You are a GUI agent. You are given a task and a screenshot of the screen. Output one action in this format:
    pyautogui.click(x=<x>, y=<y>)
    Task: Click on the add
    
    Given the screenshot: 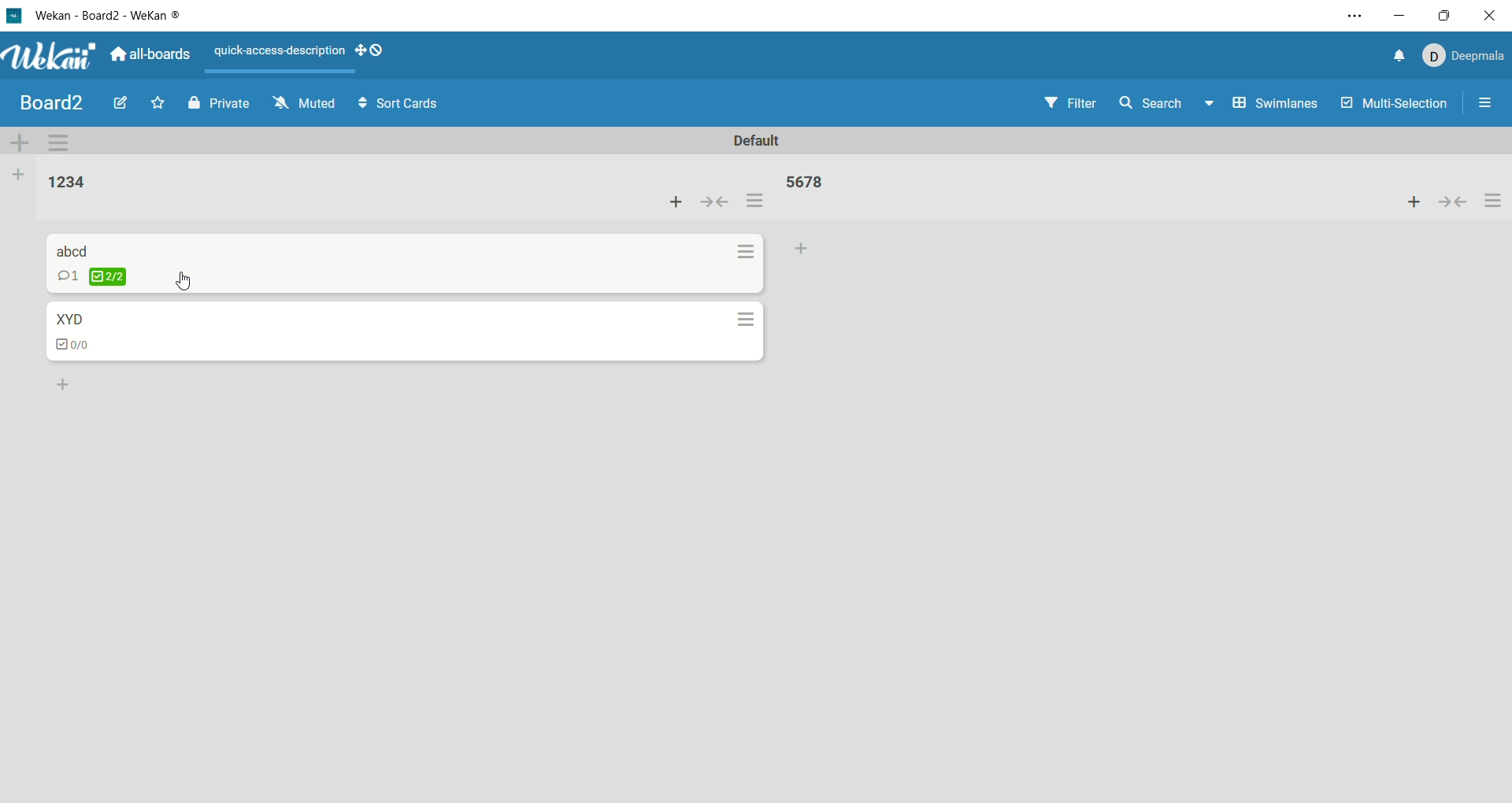 What is the action you would take?
    pyautogui.click(x=802, y=247)
    